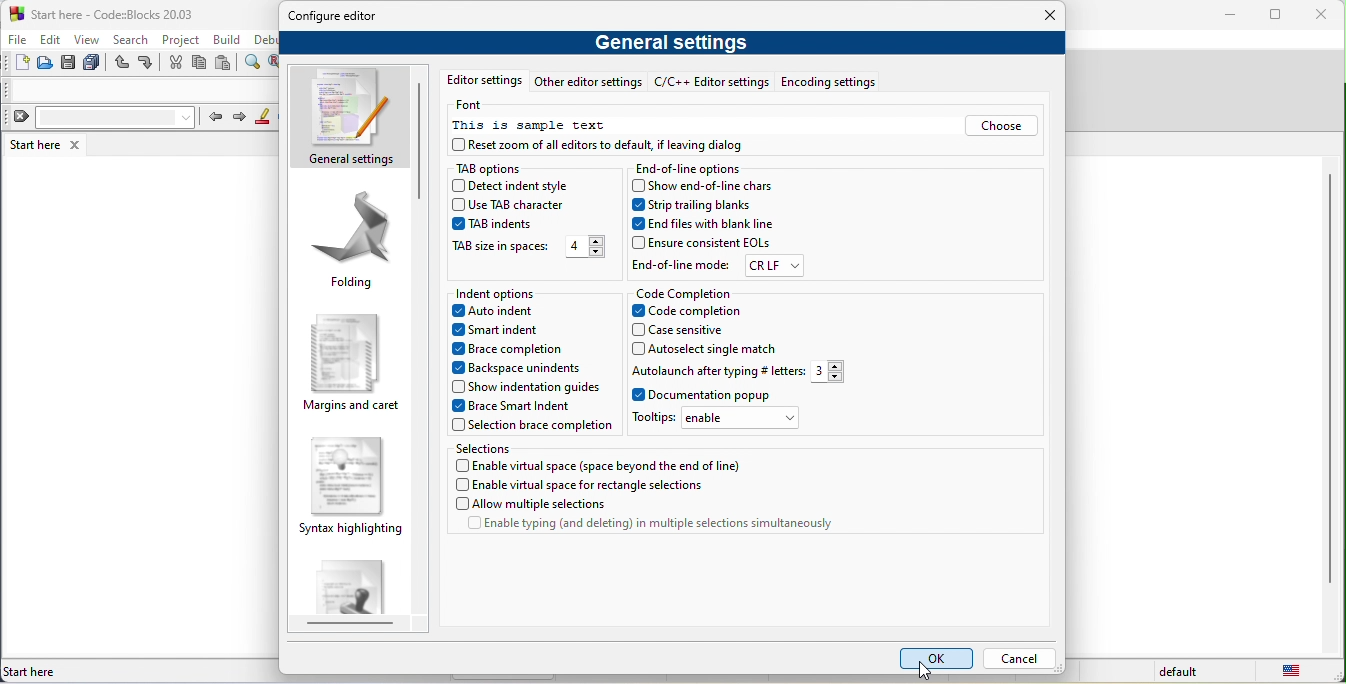  Describe the element at coordinates (604, 145) in the screenshot. I see `reset zoom of all editors to default if leaving dialog` at that location.